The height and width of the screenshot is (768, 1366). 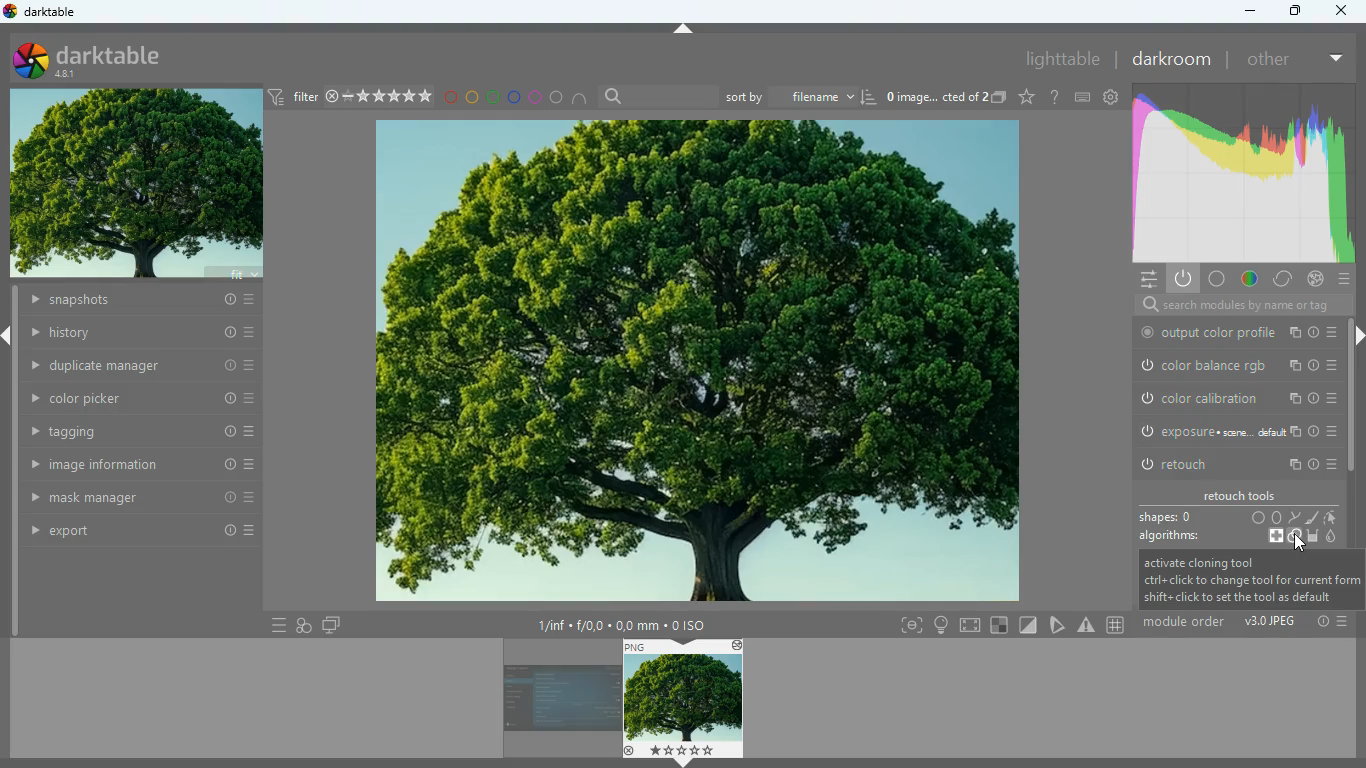 What do you see at coordinates (144, 532) in the screenshot?
I see `export` at bounding box center [144, 532].